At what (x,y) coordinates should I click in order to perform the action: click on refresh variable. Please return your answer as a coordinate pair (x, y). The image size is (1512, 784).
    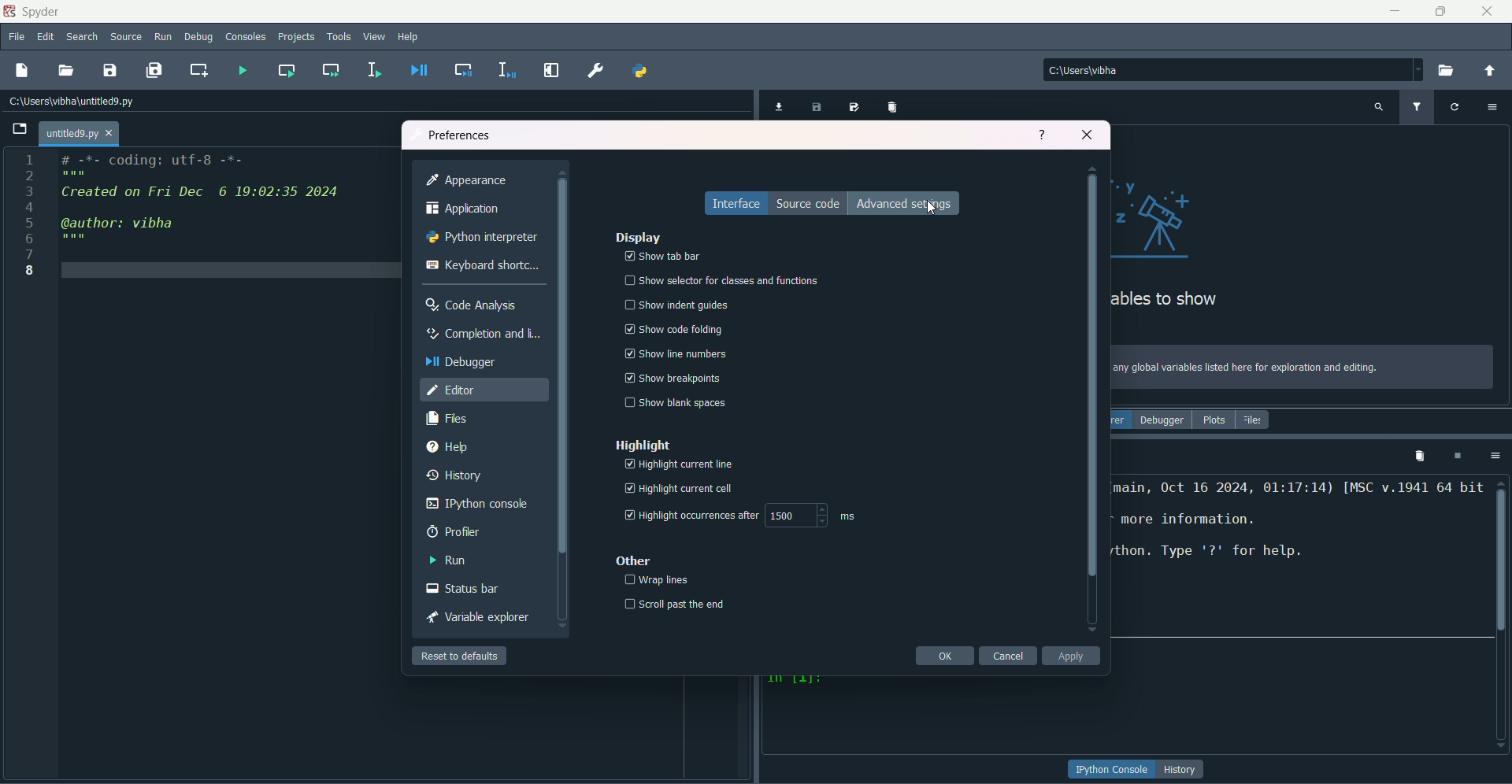
    Looking at the image, I should click on (1455, 105).